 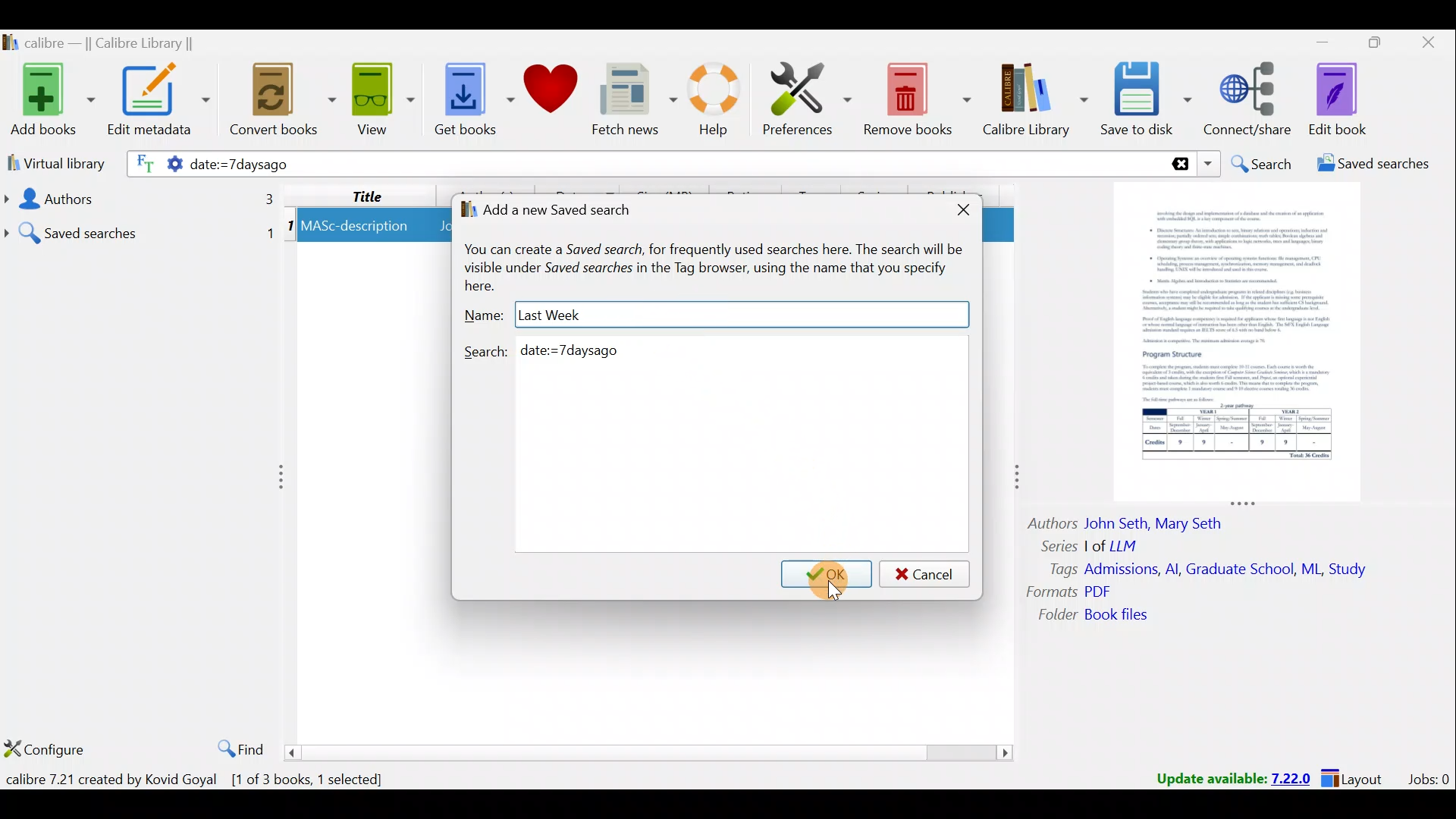 What do you see at coordinates (1260, 162) in the screenshot?
I see `Search` at bounding box center [1260, 162].